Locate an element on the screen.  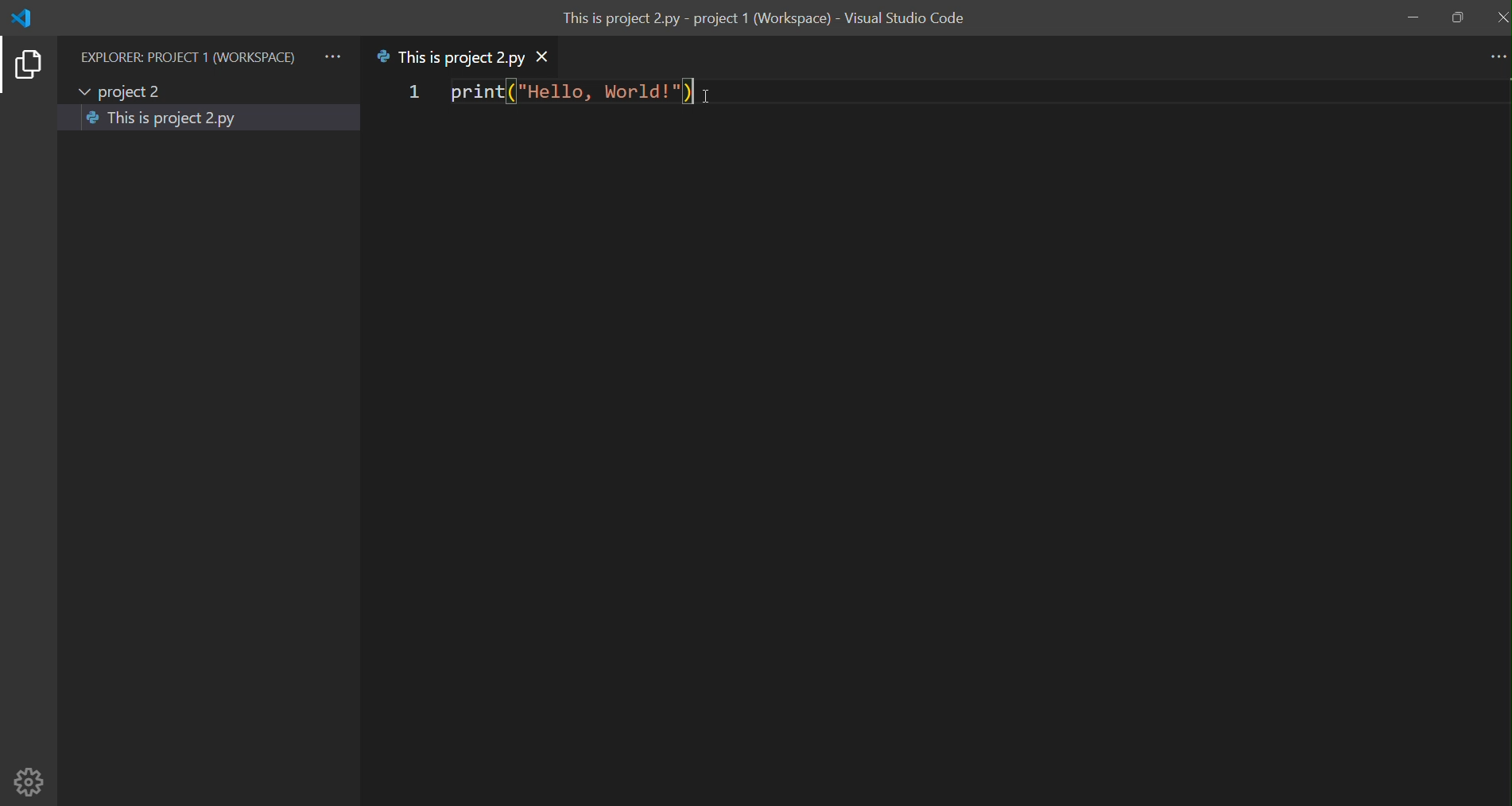
close file is located at coordinates (549, 59).